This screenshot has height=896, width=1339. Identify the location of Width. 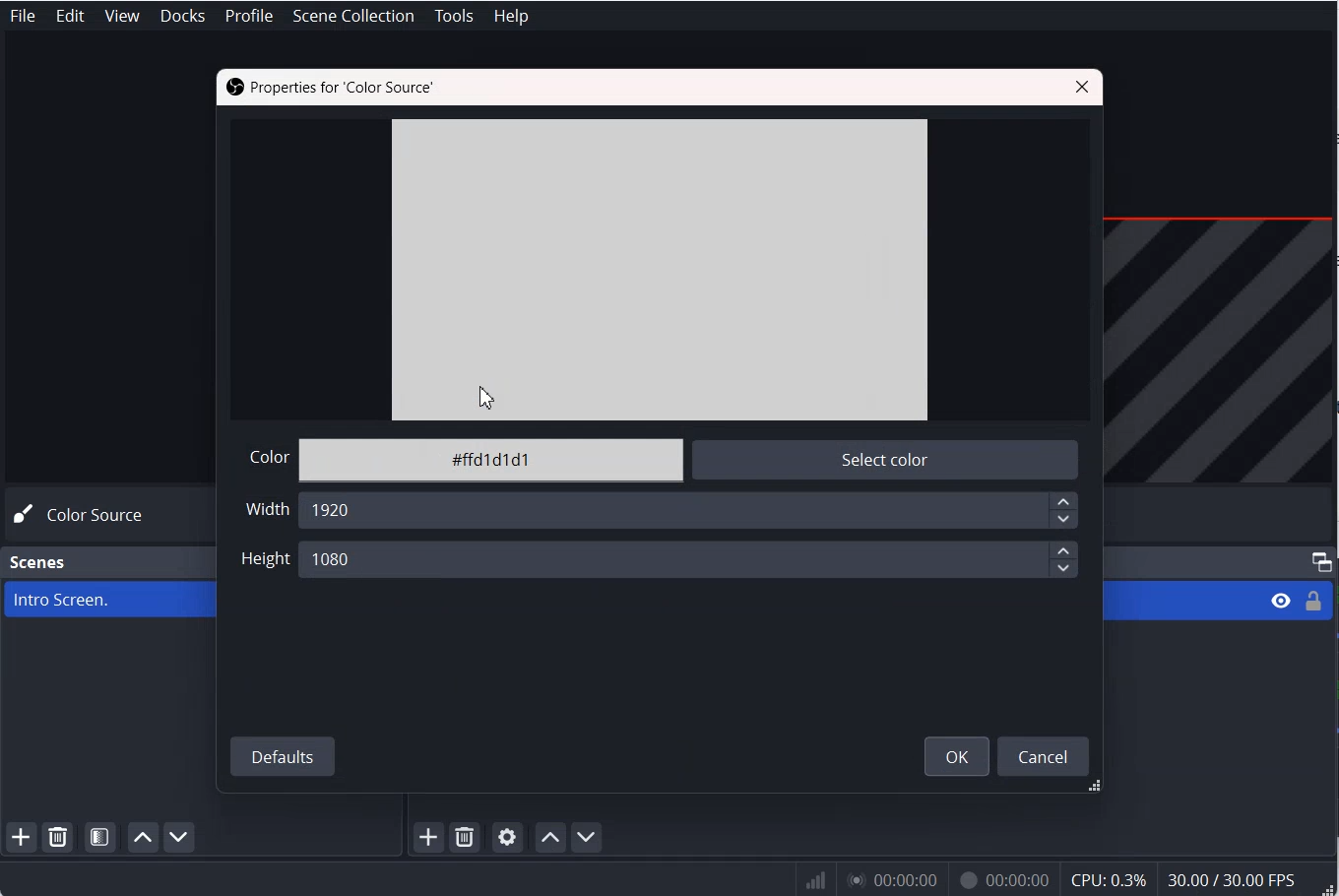
(691, 512).